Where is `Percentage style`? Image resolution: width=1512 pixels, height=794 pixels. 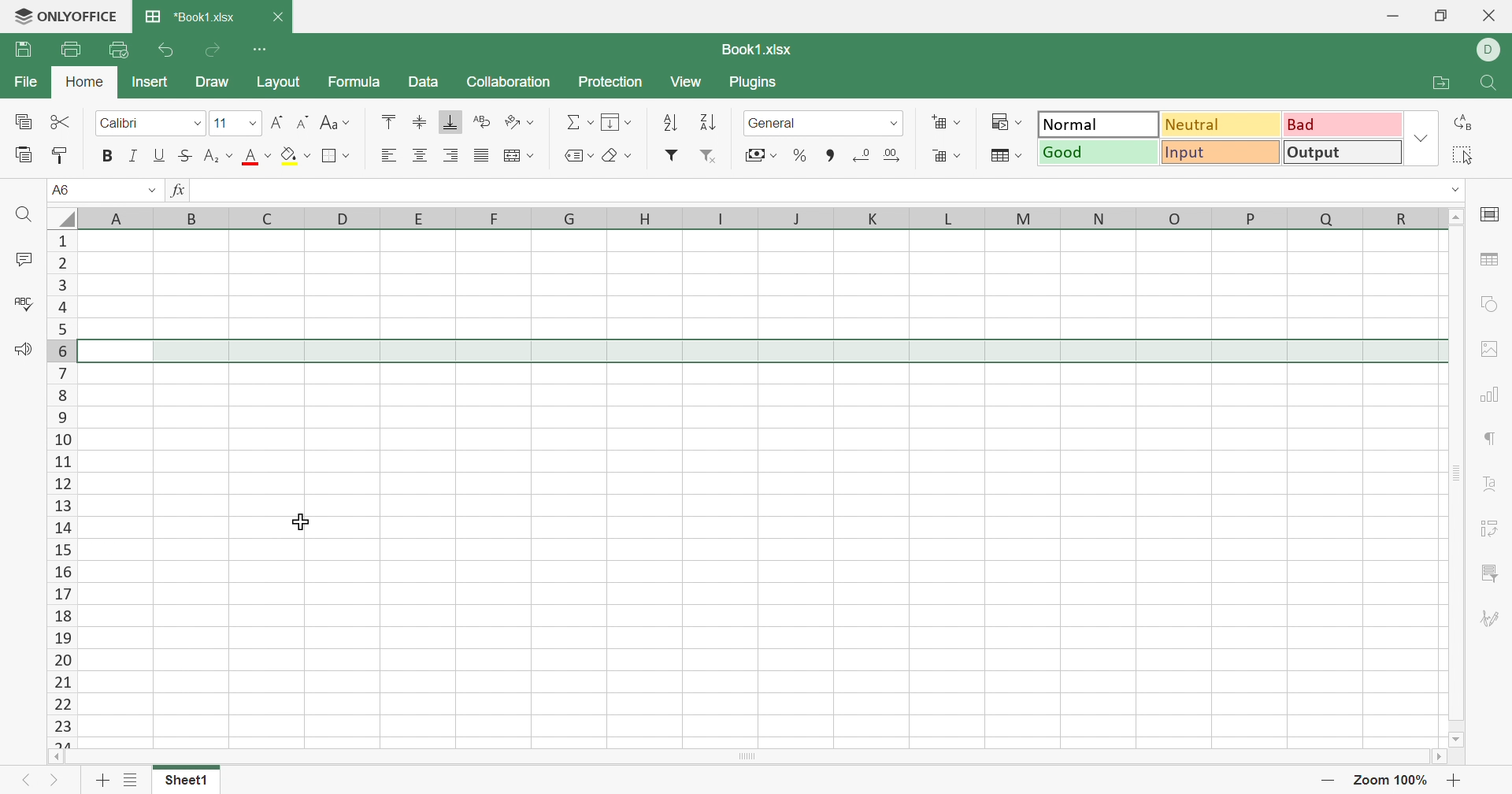 Percentage style is located at coordinates (801, 157).